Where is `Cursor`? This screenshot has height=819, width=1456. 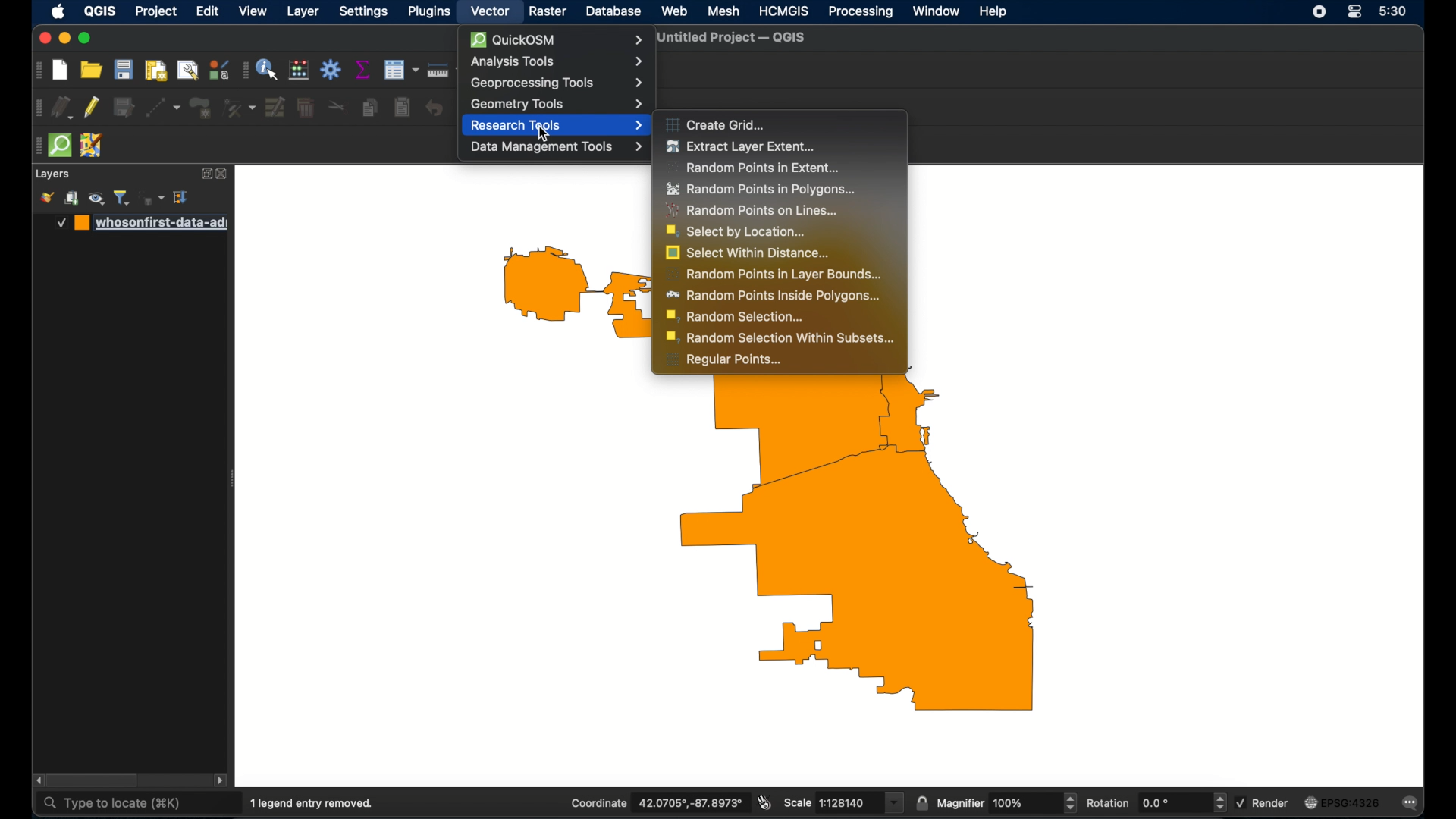
Cursor is located at coordinates (541, 133).